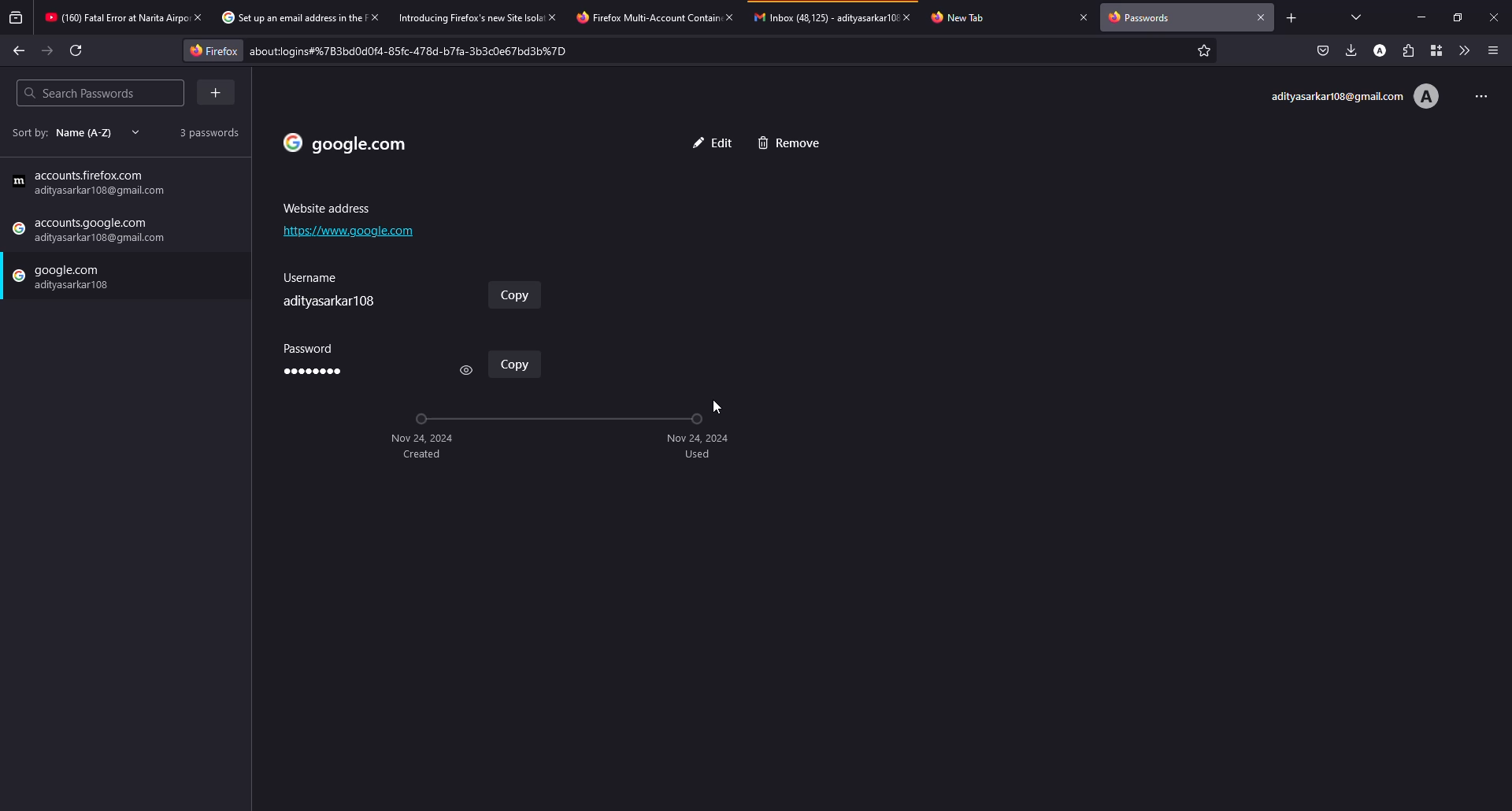 Image resolution: width=1512 pixels, height=811 pixels. What do you see at coordinates (1407, 50) in the screenshot?
I see `extensions` at bounding box center [1407, 50].